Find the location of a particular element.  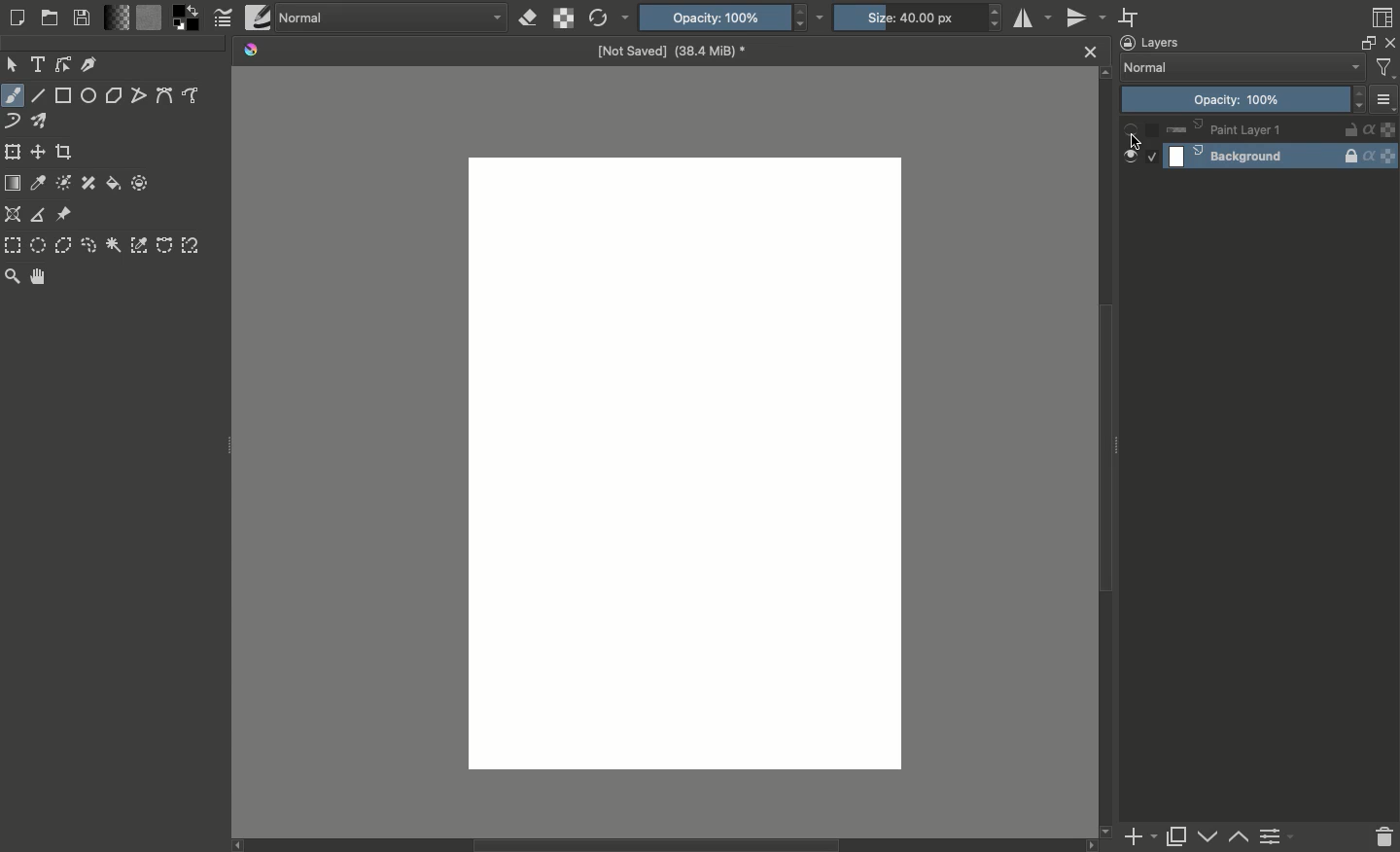

Workspaces is located at coordinates (1383, 19).